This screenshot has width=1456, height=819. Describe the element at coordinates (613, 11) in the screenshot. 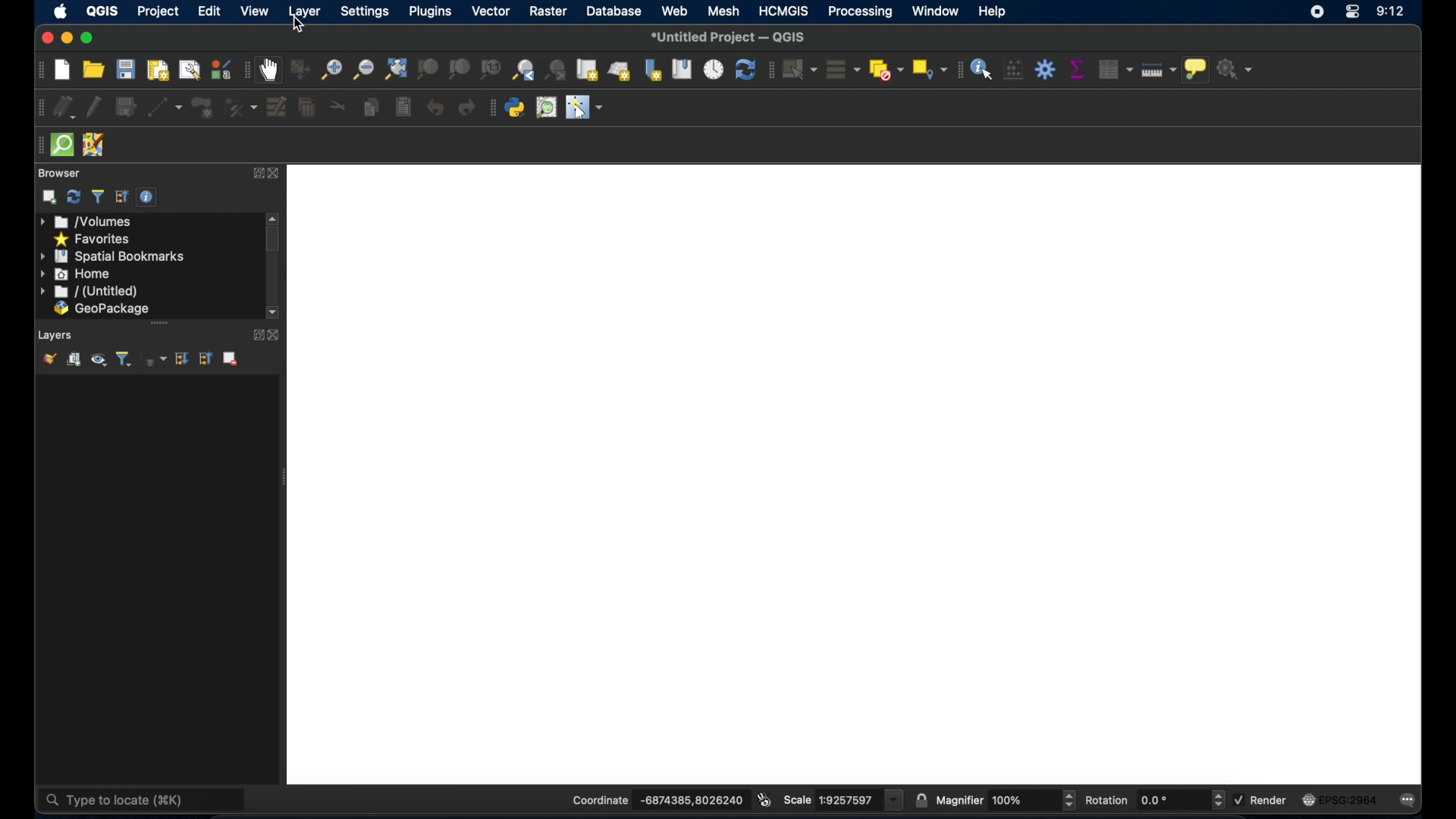

I see `database` at that location.